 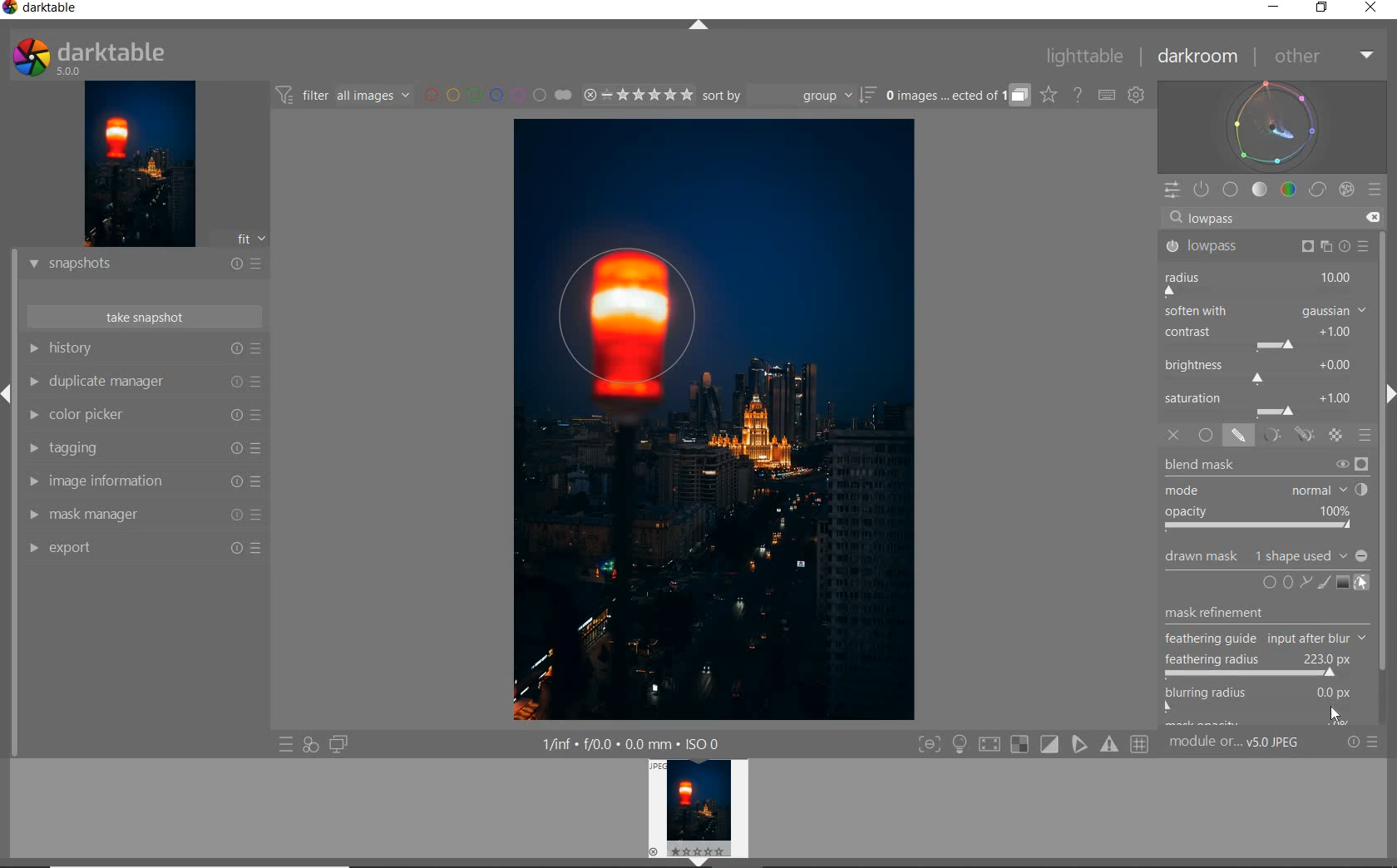 I want to click on SNAPSHOTS, so click(x=146, y=264).